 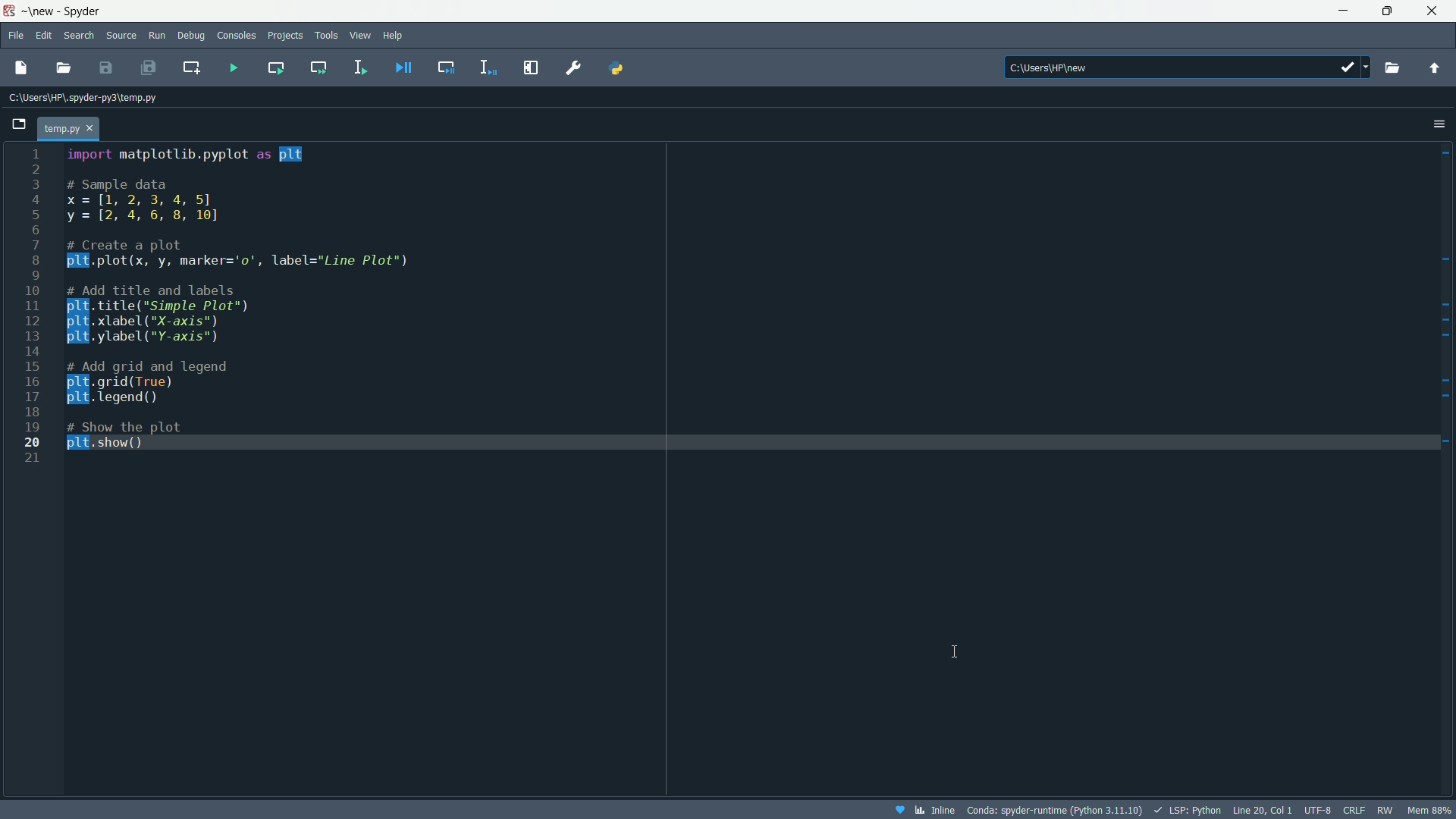 What do you see at coordinates (1352, 811) in the screenshot?
I see `file eol status` at bounding box center [1352, 811].